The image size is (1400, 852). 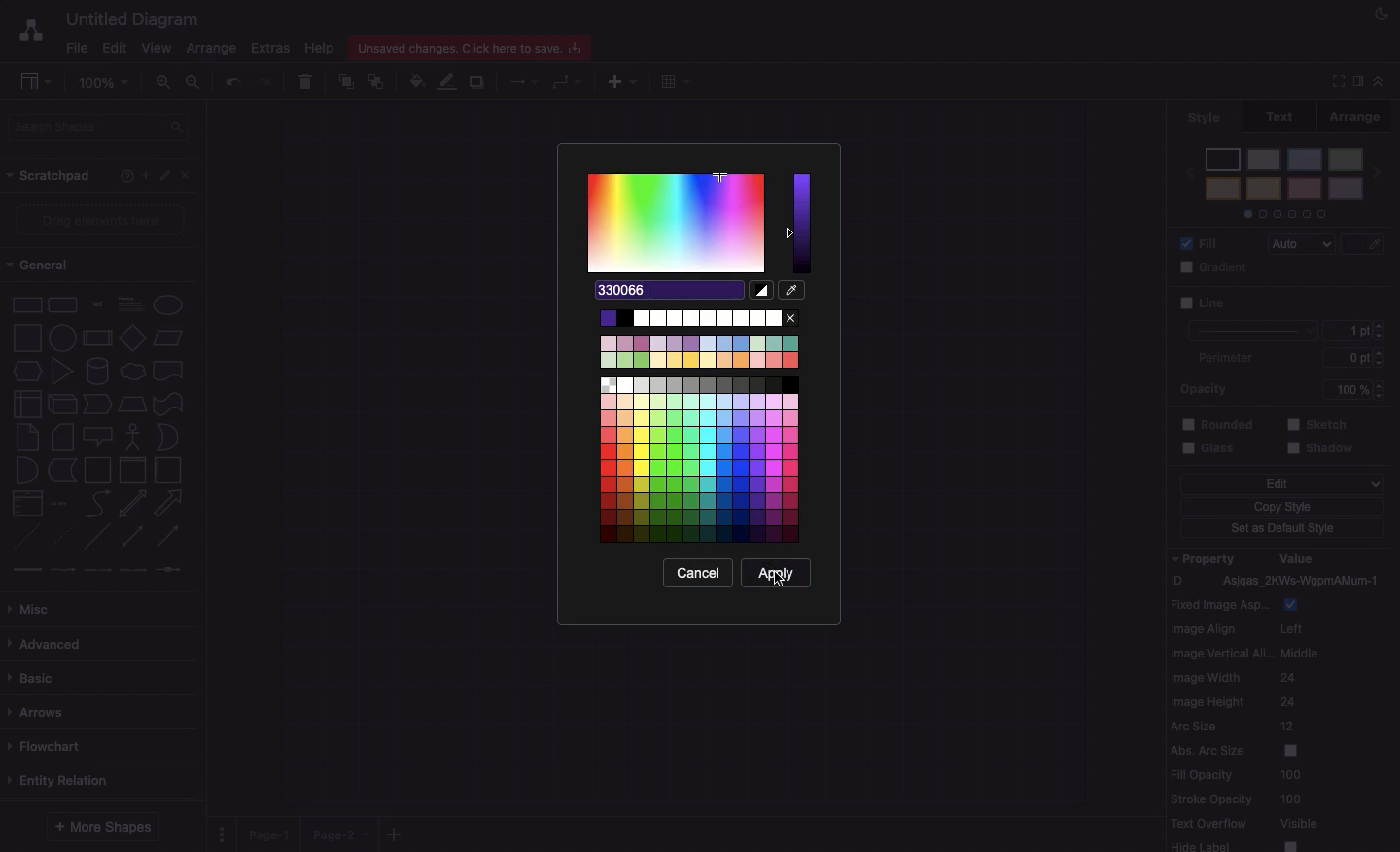 I want to click on list, so click(x=24, y=504).